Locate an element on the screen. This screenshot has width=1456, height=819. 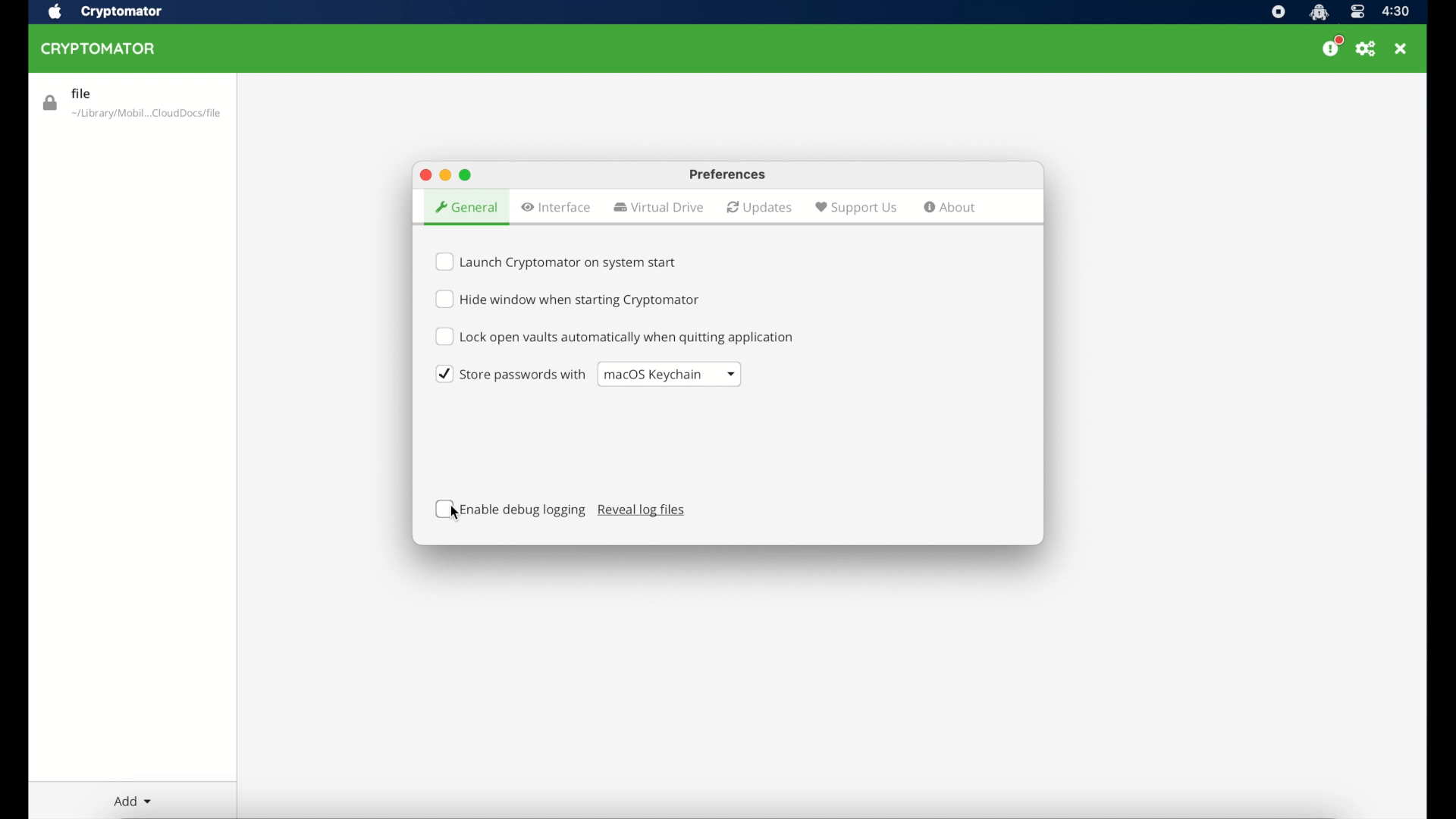
cursor is located at coordinates (459, 510).